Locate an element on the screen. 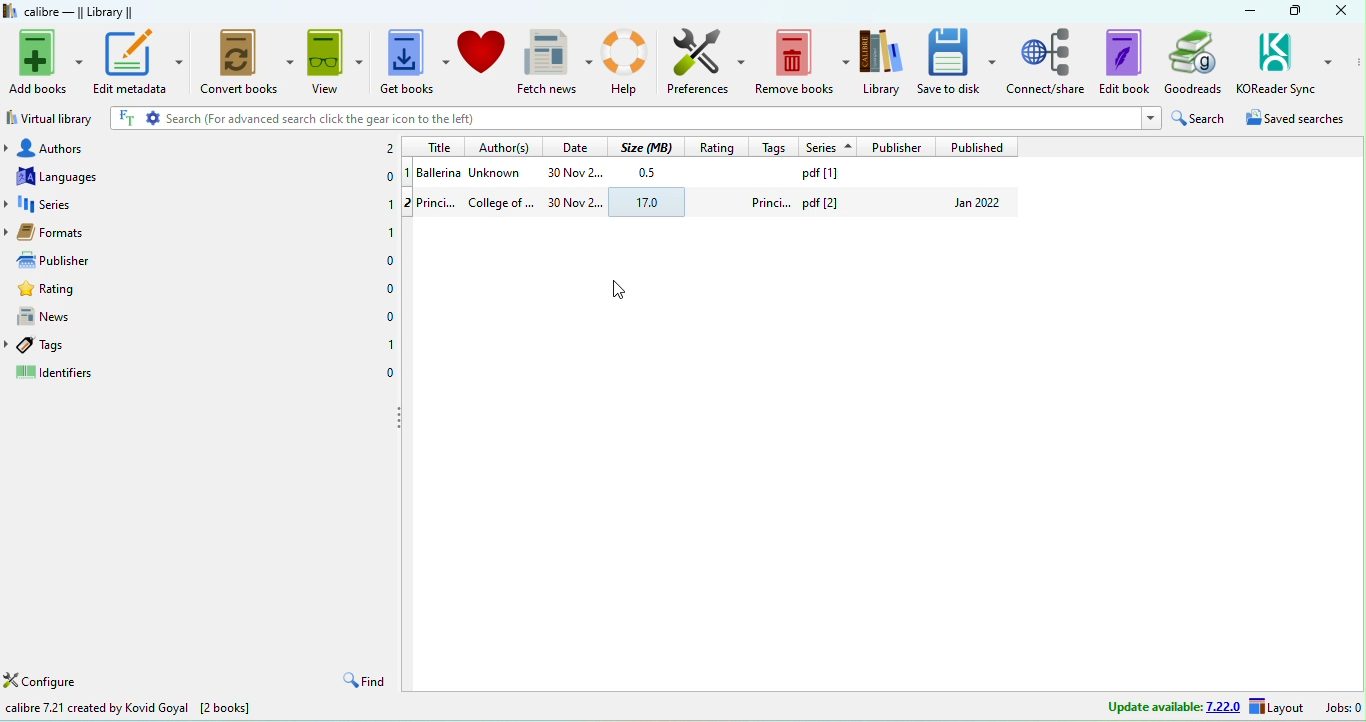 The width and height of the screenshot is (1366, 722). 1 is located at coordinates (390, 344).